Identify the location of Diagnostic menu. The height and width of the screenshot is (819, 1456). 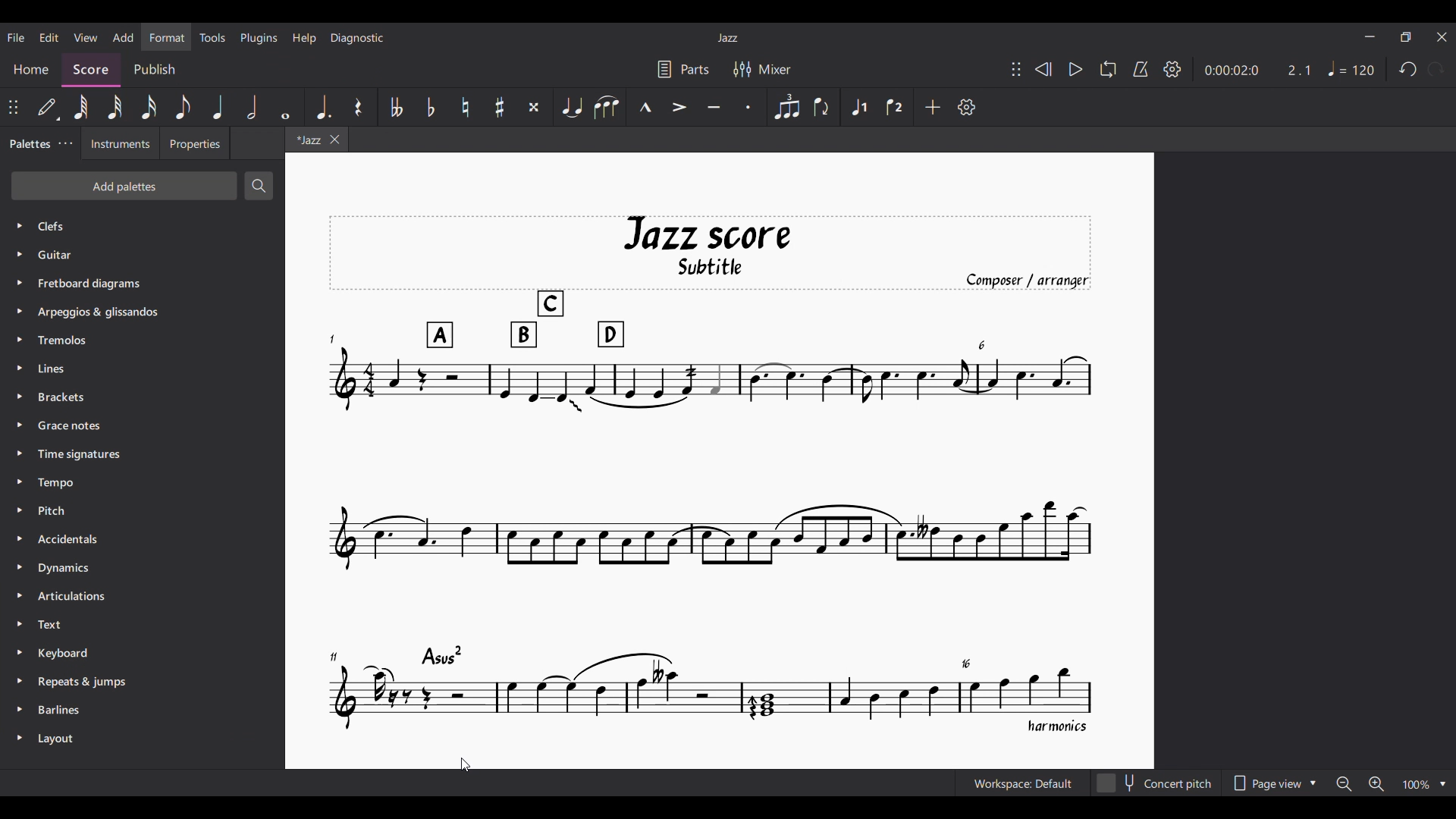
(356, 39).